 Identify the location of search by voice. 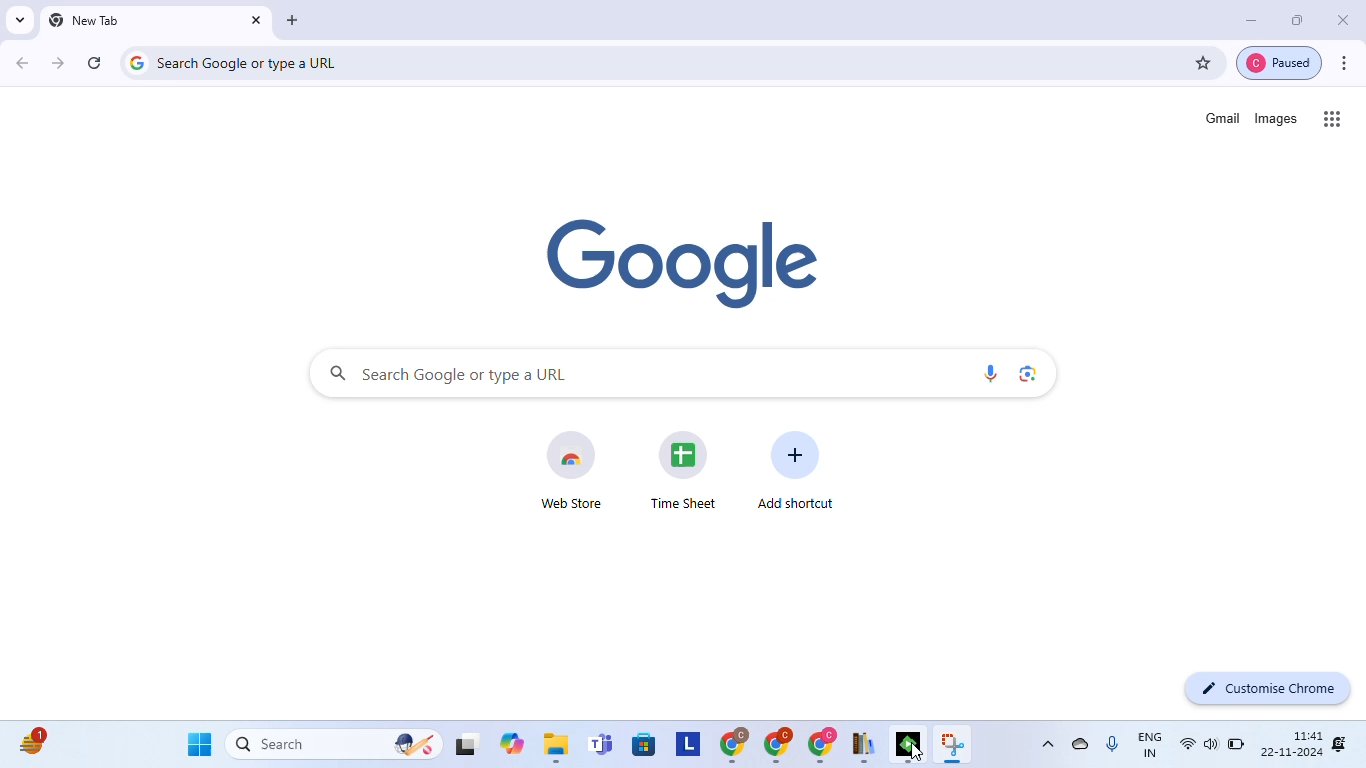
(991, 372).